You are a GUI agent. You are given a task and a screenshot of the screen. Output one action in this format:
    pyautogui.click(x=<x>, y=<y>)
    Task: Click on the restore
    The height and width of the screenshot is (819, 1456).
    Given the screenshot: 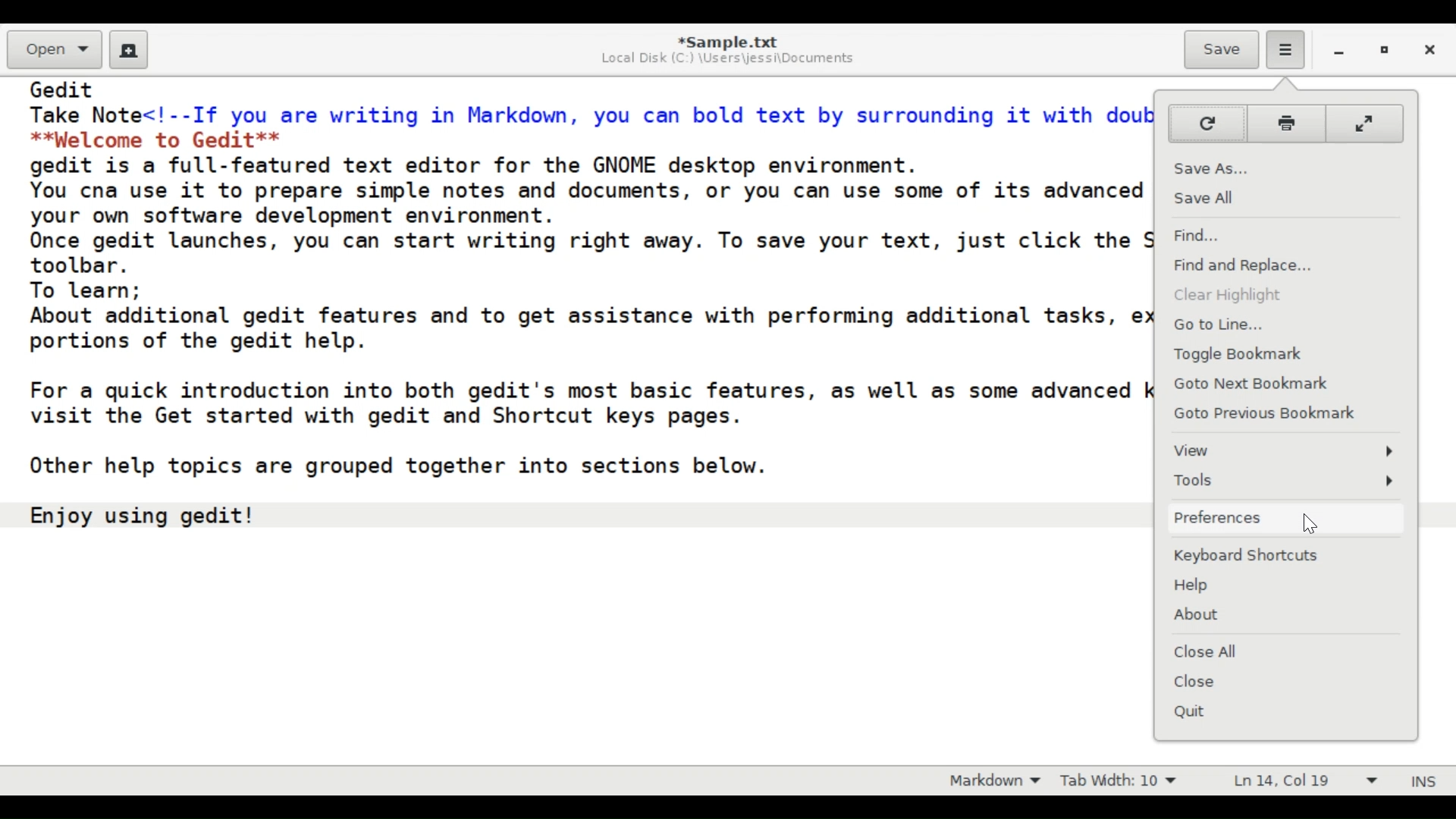 What is the action you would take?
    pyautogui.click(x=1385, y=52)
    